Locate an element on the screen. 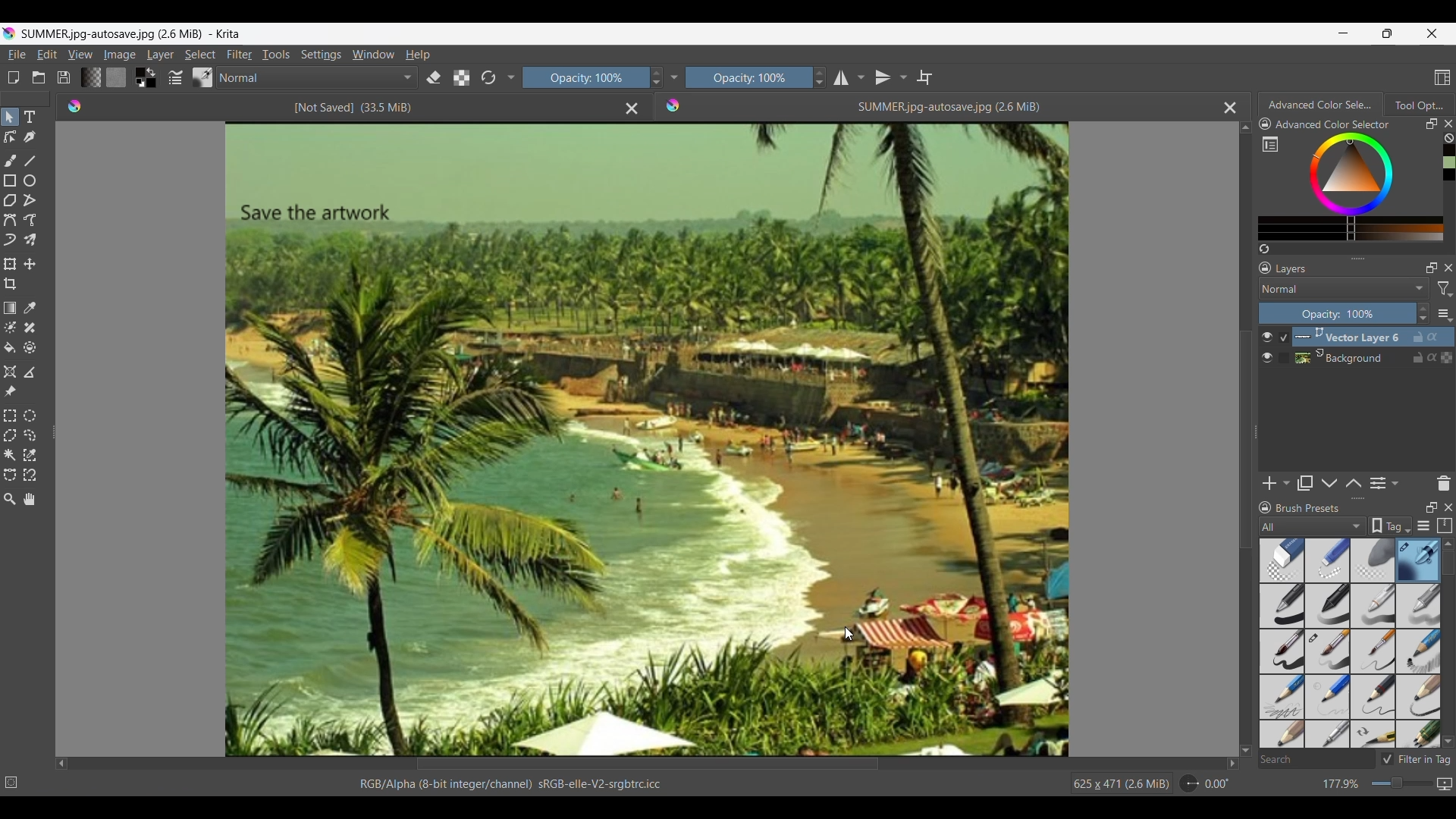 This screenshot has width=1456, height=819. Transform a layer or selection is located at coordinates (9, 264).